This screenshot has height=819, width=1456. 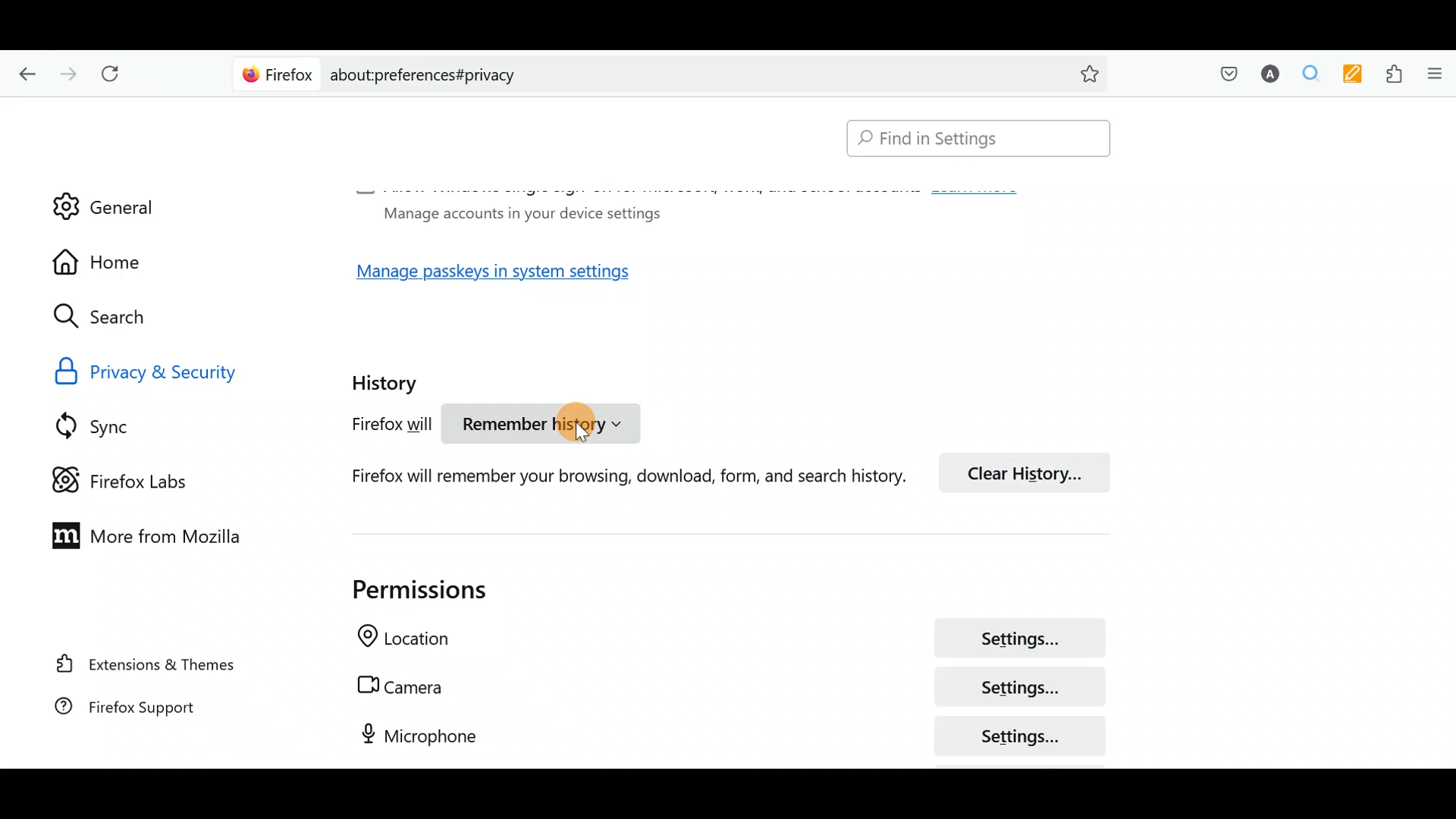 What do you see at coordinates (547, 426) in the screenshot?
I see `Remember history` at bounding box center [547, 426].